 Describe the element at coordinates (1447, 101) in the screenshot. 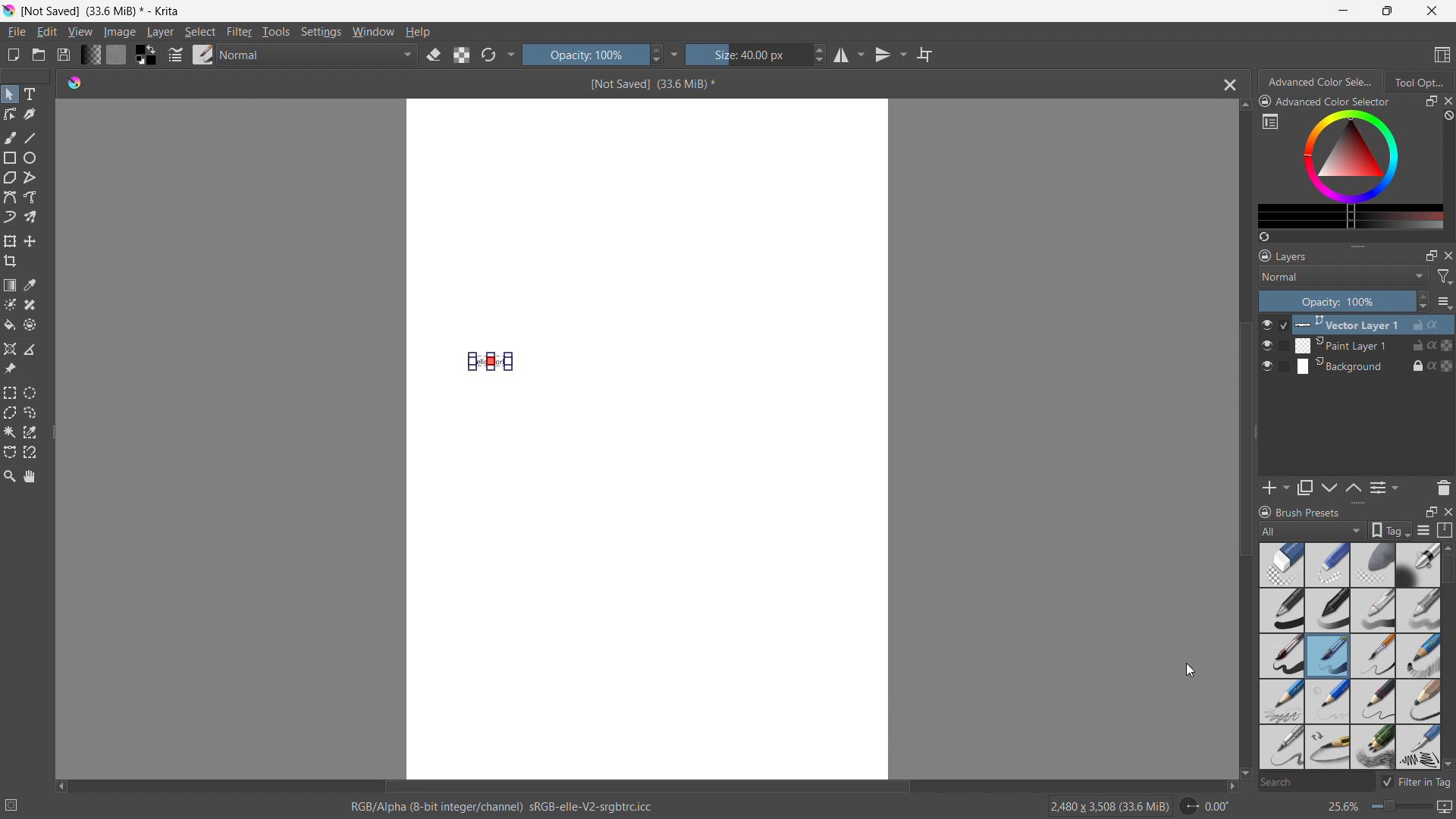

I see `close` at that location.